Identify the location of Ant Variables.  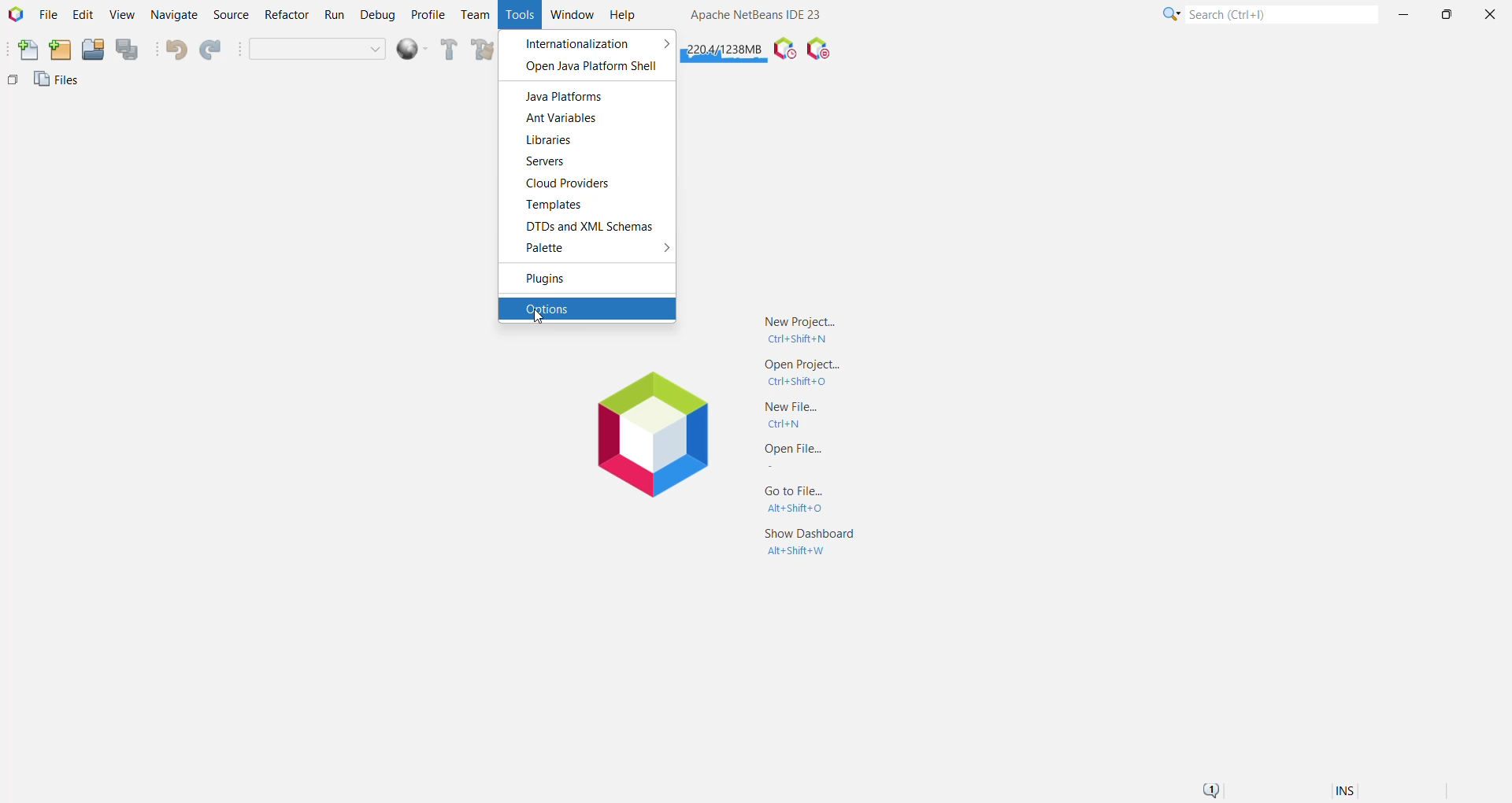
(560, 120).